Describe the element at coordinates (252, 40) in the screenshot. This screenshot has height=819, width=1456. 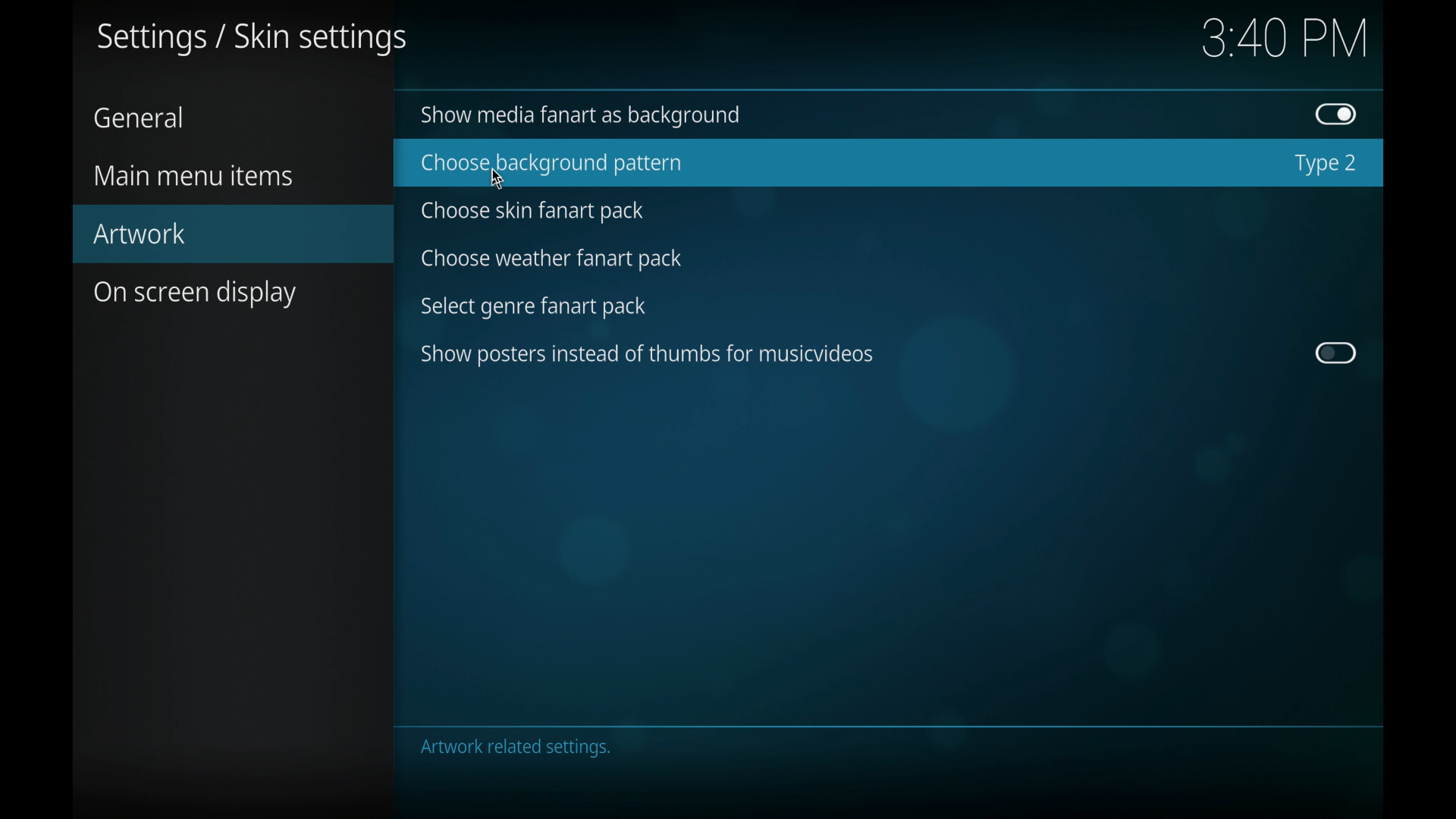
I see `settings/skin settings` at that location.